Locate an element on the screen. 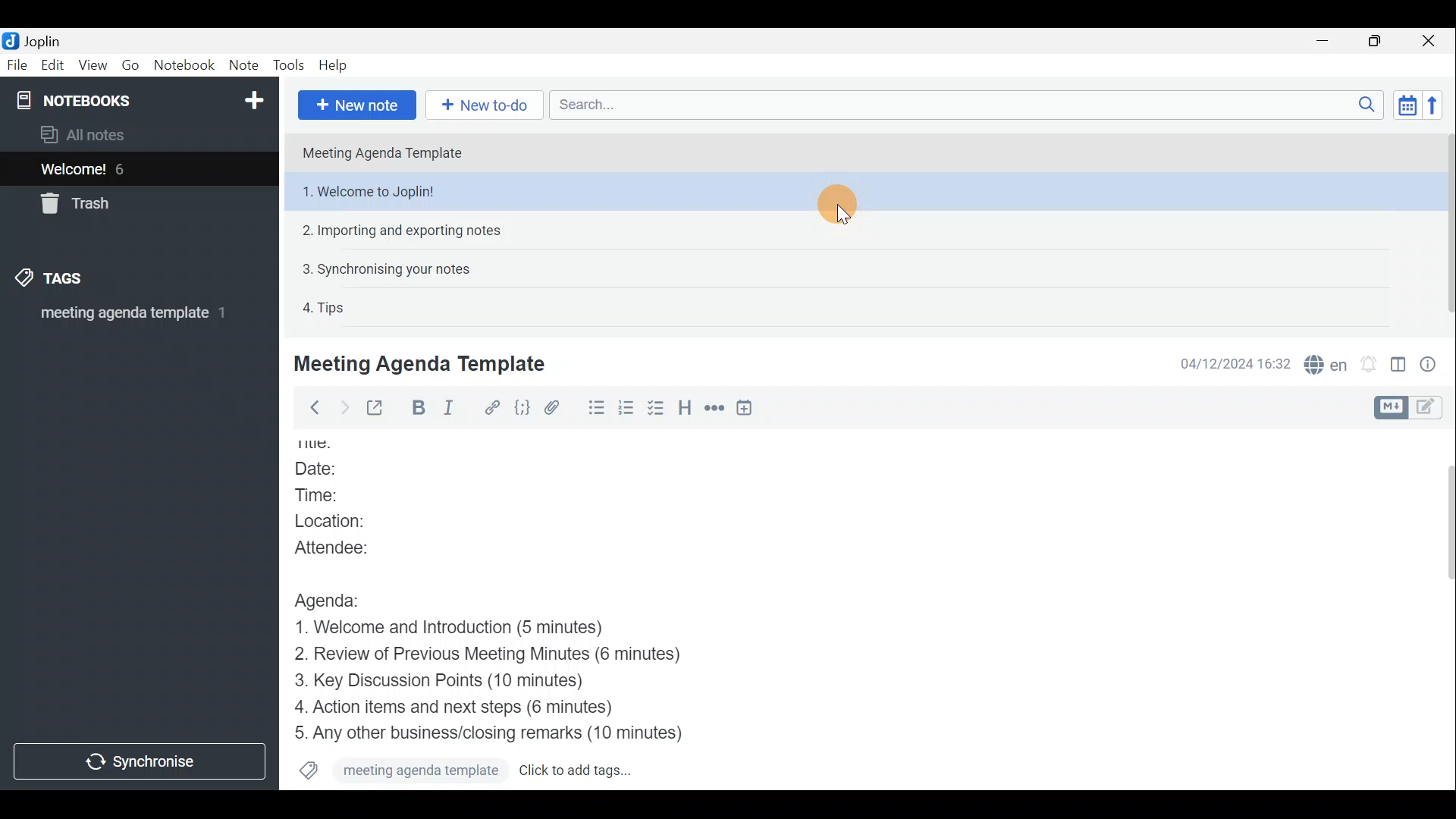 The width and height of the screenshot is (1456, 819). Agenda: is located at coordinates (337, 598).